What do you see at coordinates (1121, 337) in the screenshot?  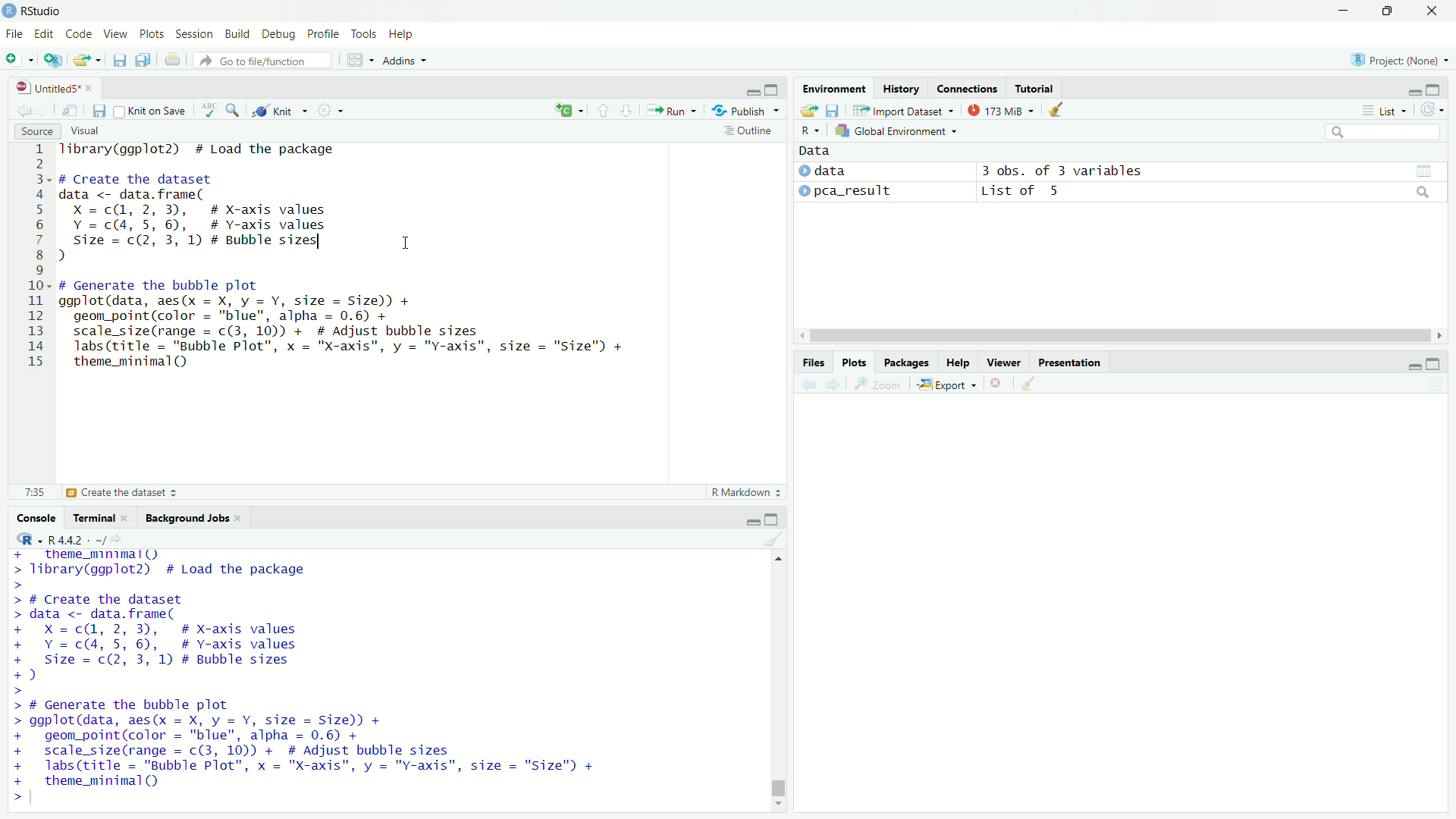 I see `horizontal scrollbar` at bounding box center [1121, 337].